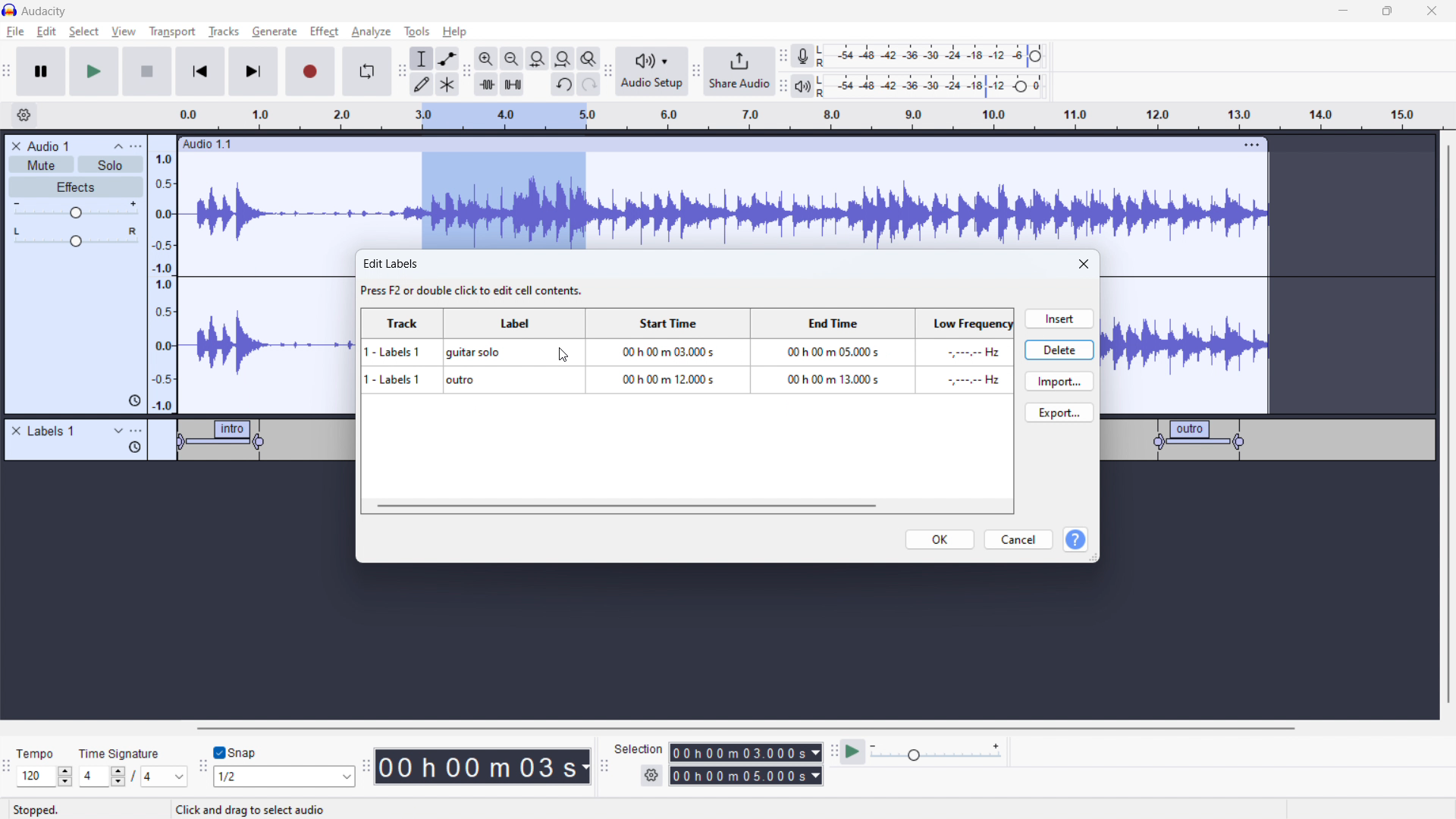  What do you see at coordinates (748, 728) in the screenshot?
I see `horizontal scrollbar` at bounding box center [748, 728].